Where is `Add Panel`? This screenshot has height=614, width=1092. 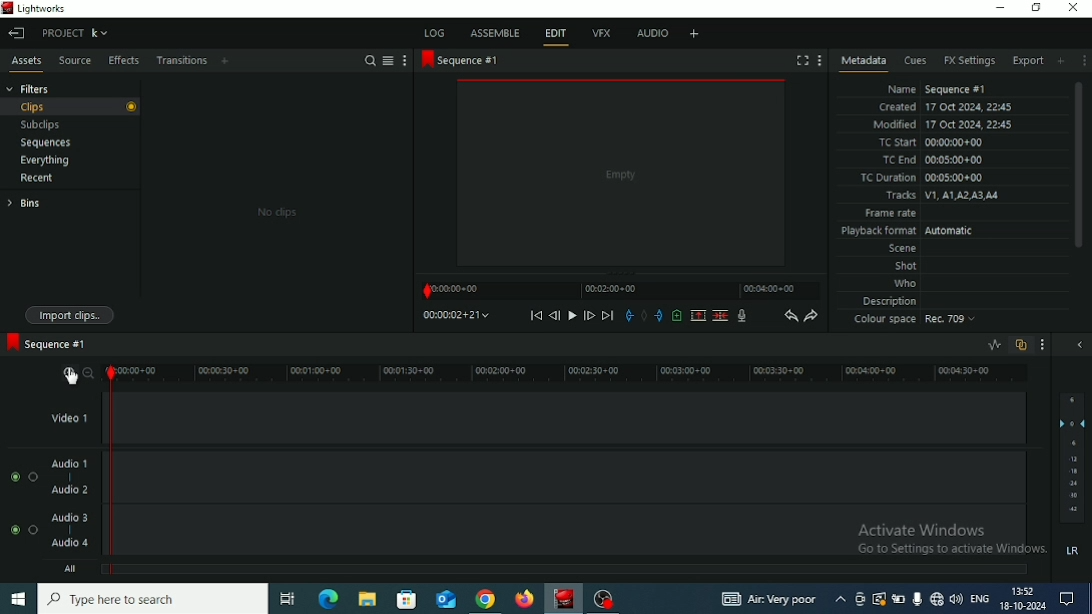
Add Panel is located at coordinates (1061, 61).